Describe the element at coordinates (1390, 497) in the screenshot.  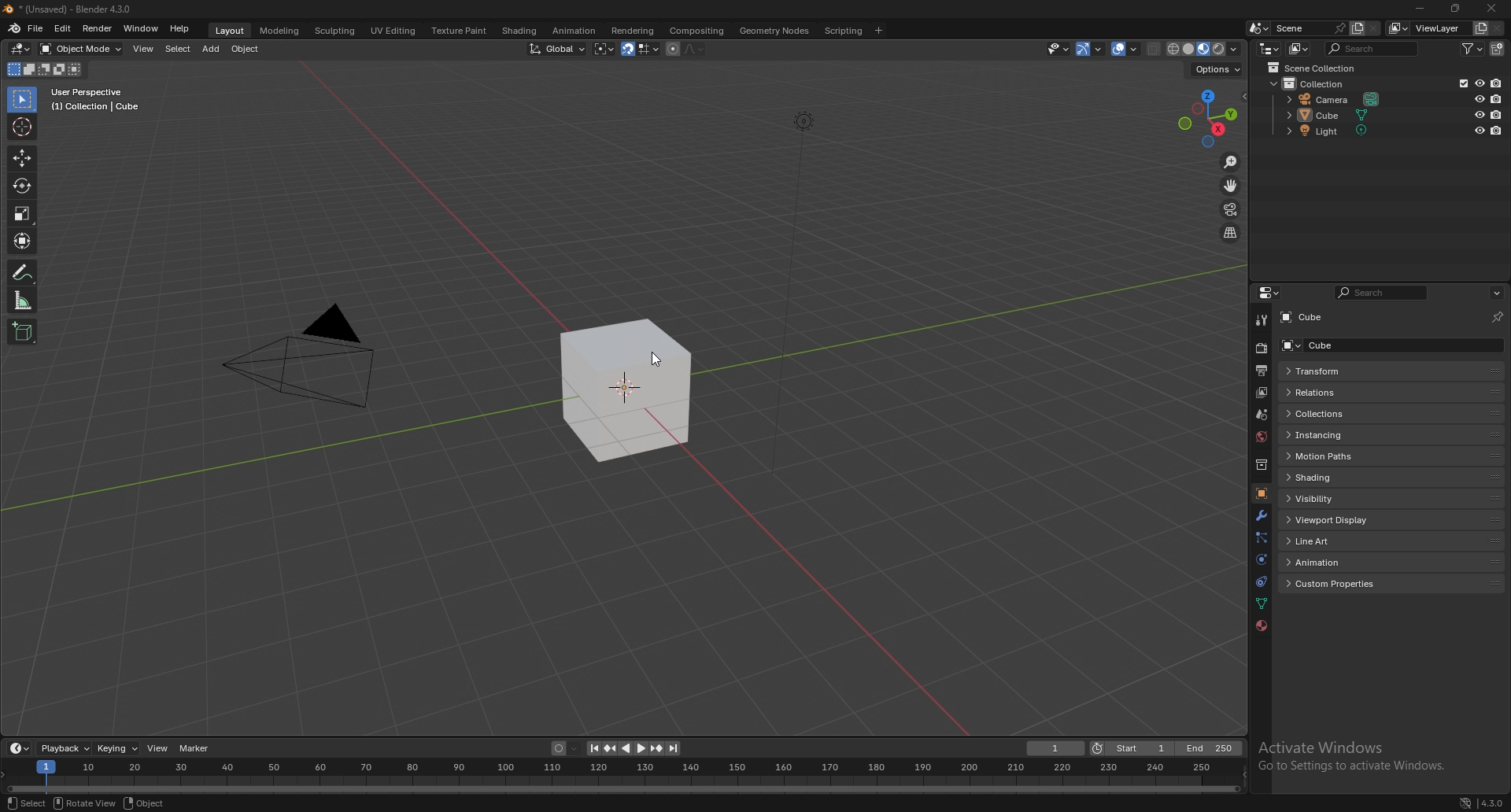
I see `visibility` at that location.